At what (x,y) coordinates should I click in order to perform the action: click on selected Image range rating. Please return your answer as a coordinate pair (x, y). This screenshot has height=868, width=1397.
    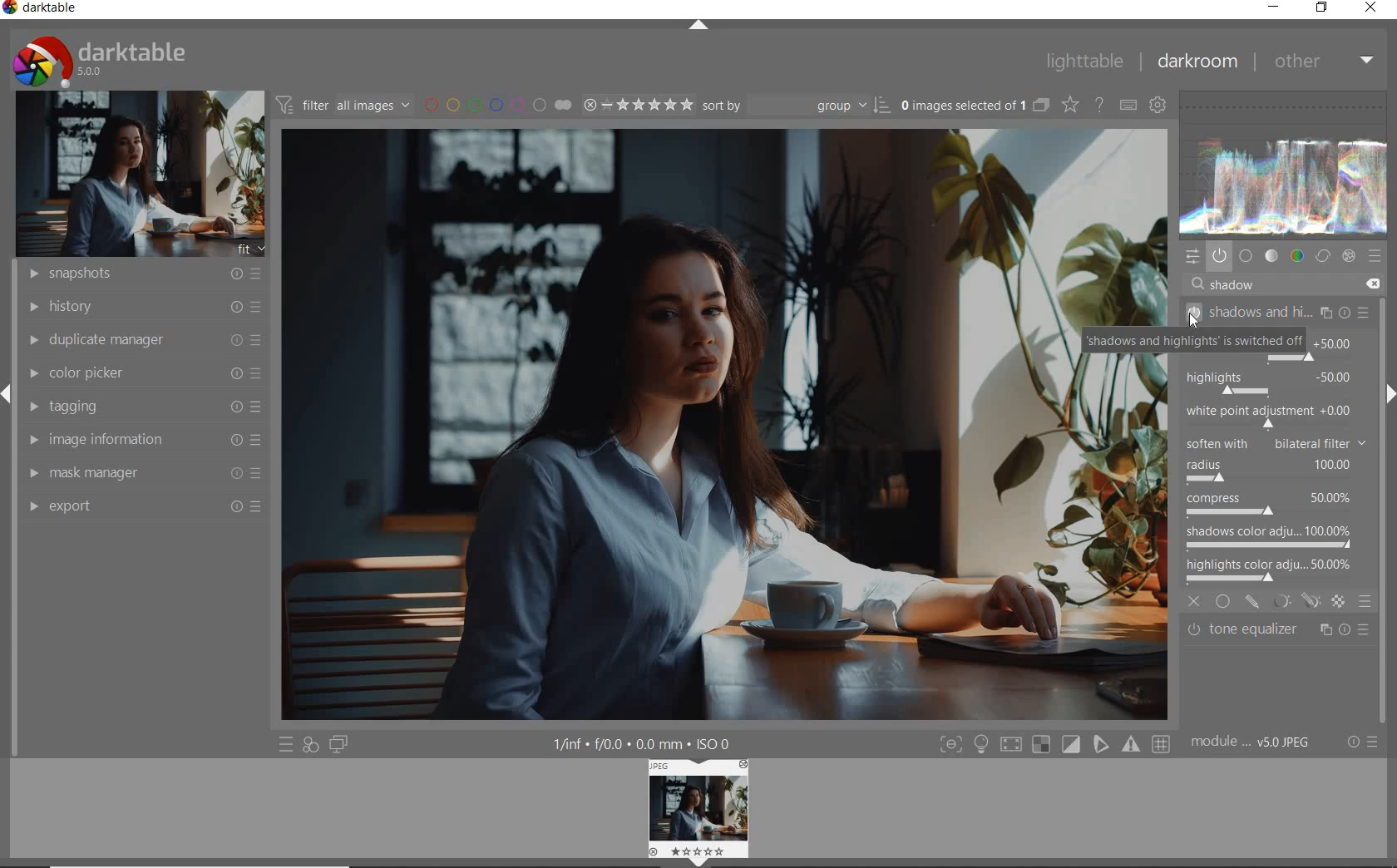
    Looking at the image, I should click on (639, 105).